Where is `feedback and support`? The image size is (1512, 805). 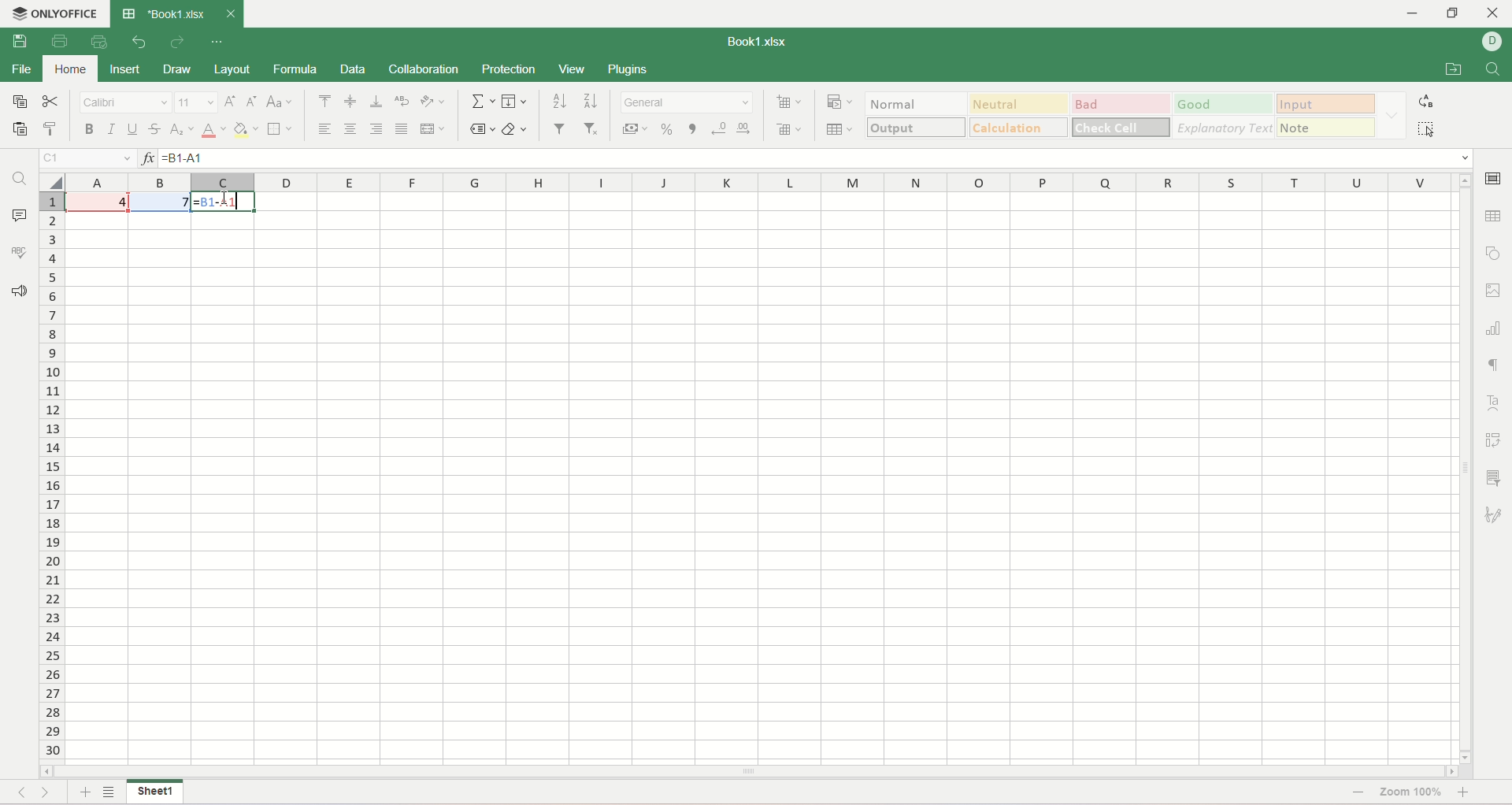
feedback and support is located at coordinates (19, 294).